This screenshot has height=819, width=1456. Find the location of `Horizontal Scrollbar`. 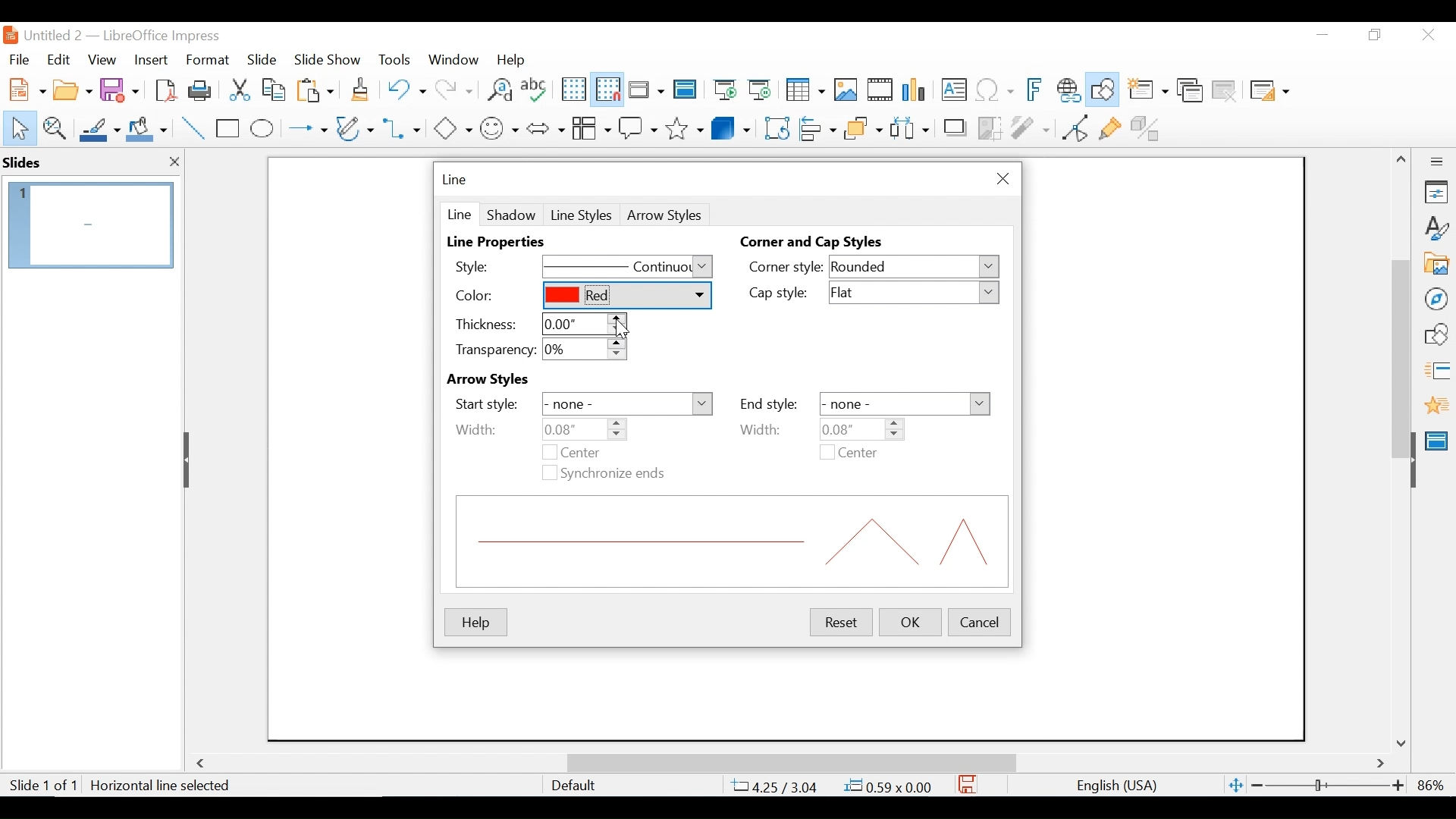

Horizontal Scrollbar is located at coordinates (790, 762).